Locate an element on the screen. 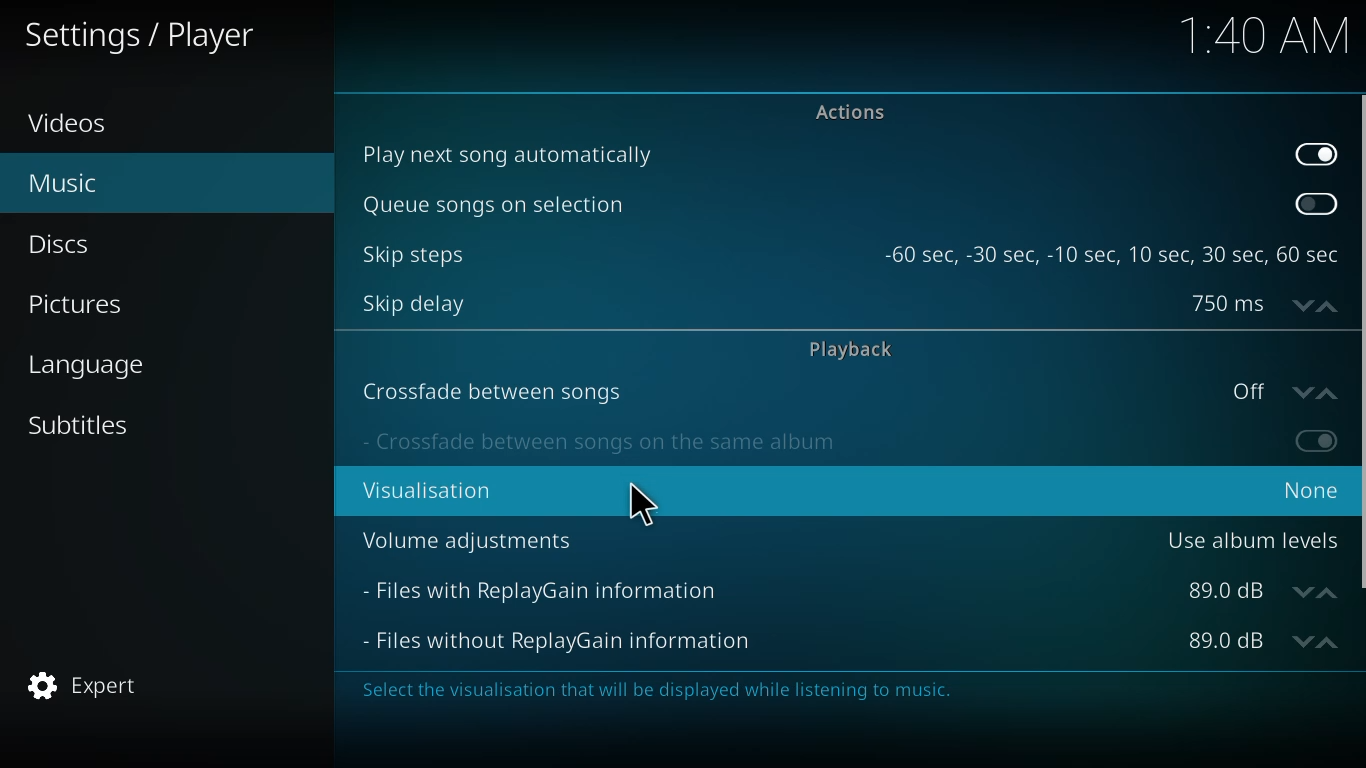 Image resolution: width=1366 pixels, height=768 pixels. file with replaygain info is located at coordinates (545, 589).